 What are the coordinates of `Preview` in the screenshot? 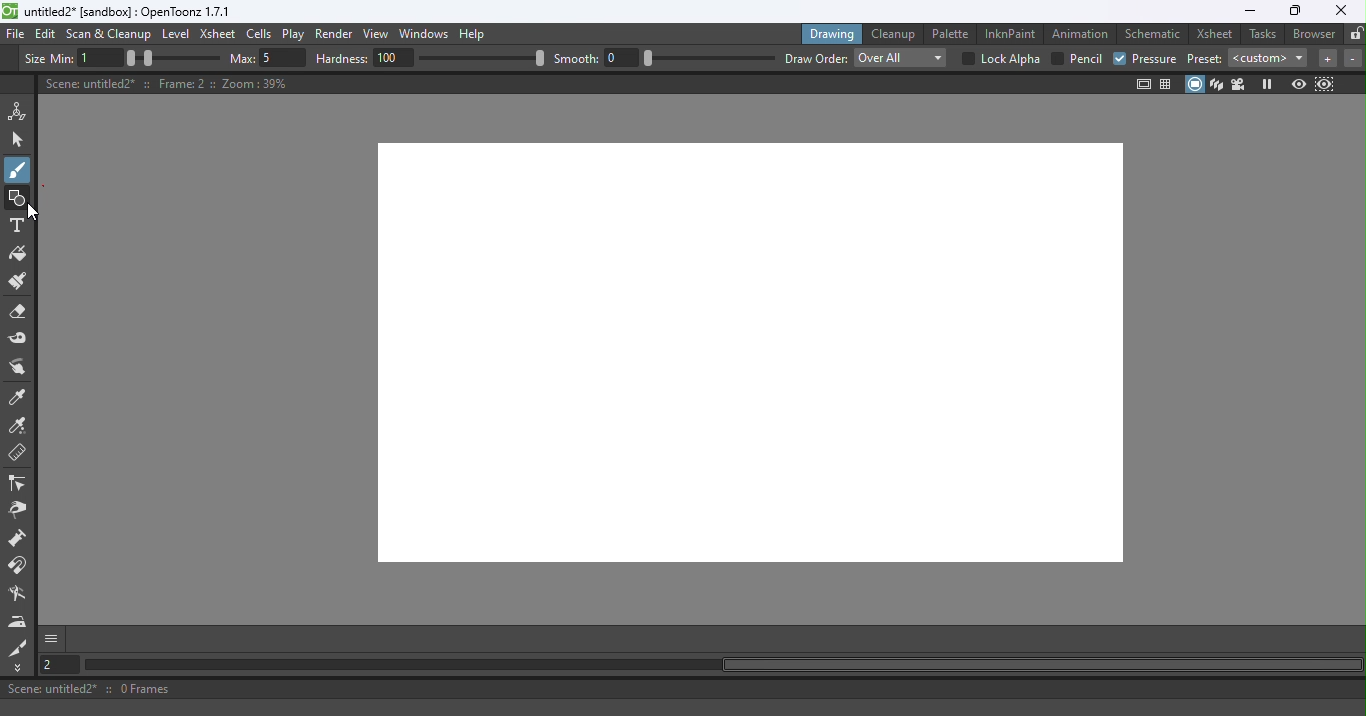 It's located at (1298, 85).